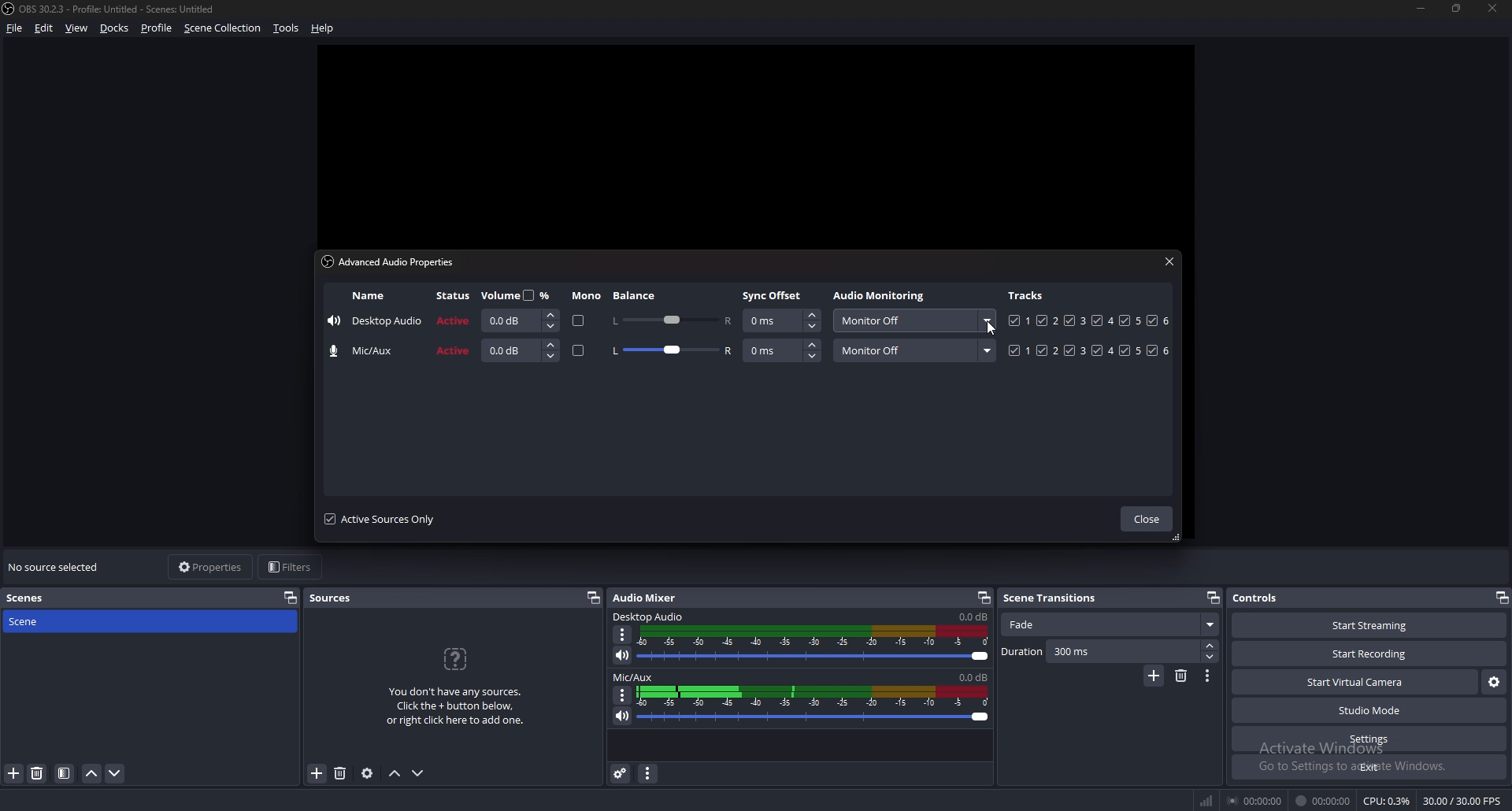 This screenshot has width=1512, height=811. I want to click on file, so click(16, 28).